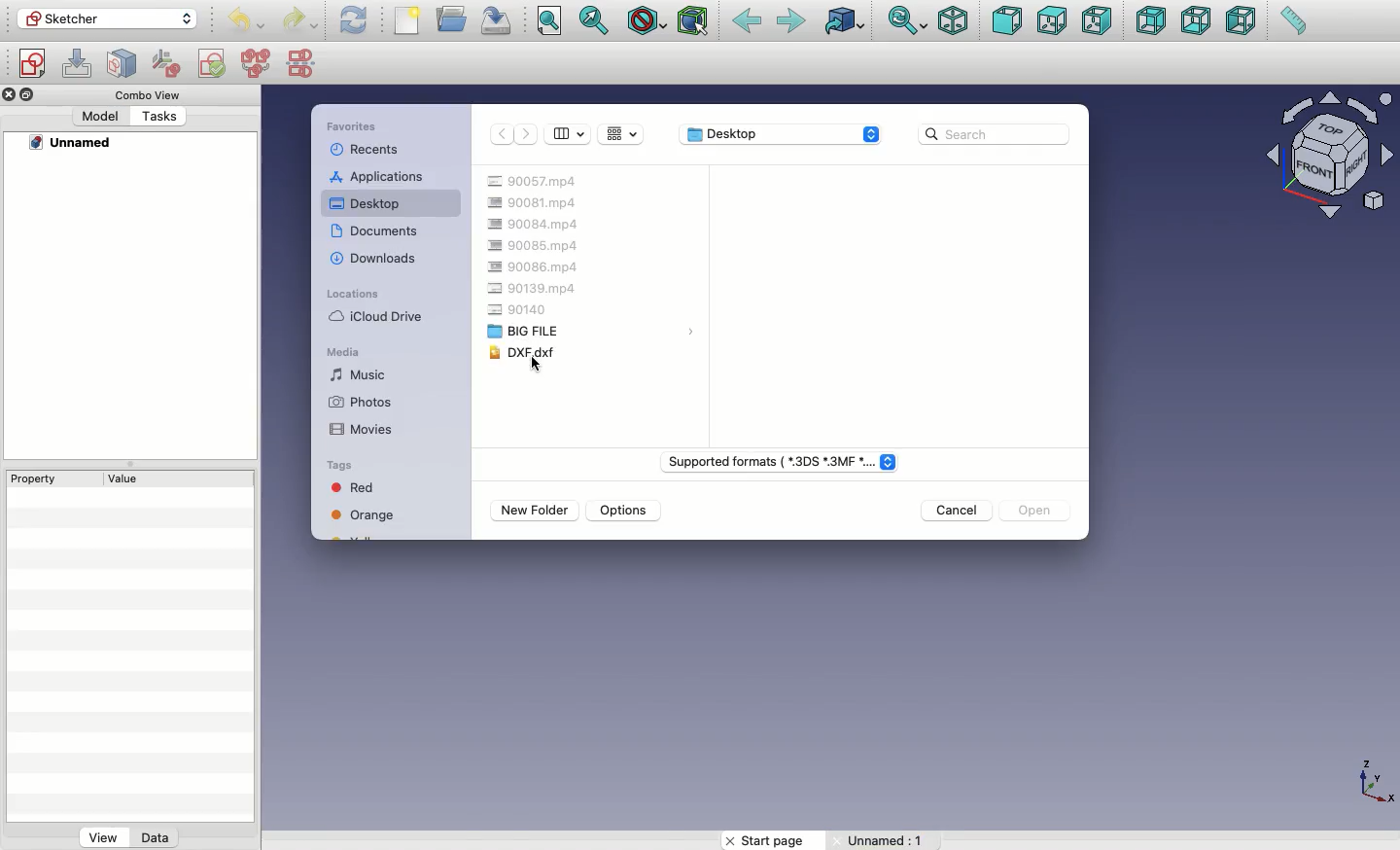  What do you see at coordinates (362, 431) in the screenshot?
I see `Movies` at bounding box center [362, 431].